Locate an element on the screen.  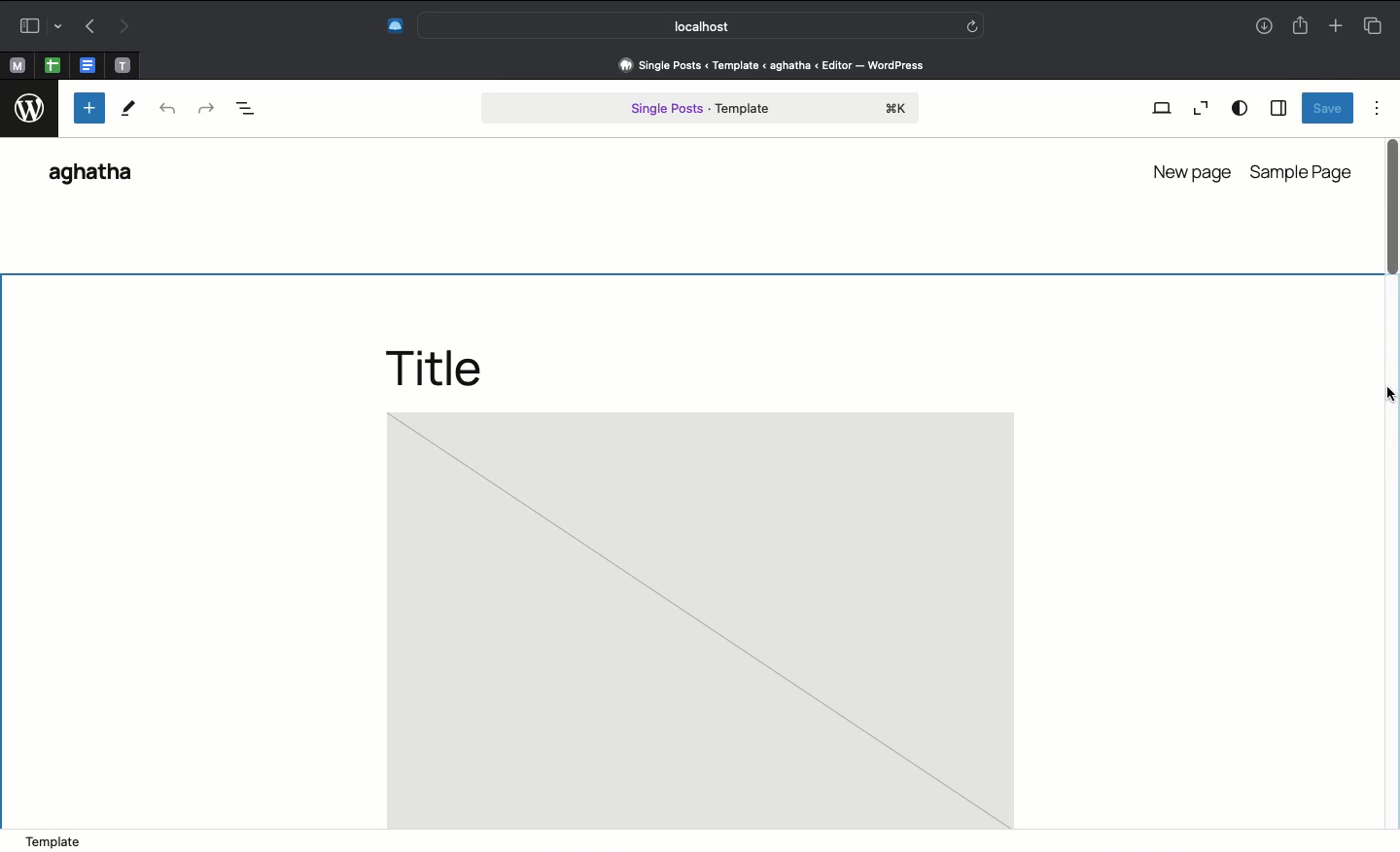
Share is located at coordinates (1300, 26).